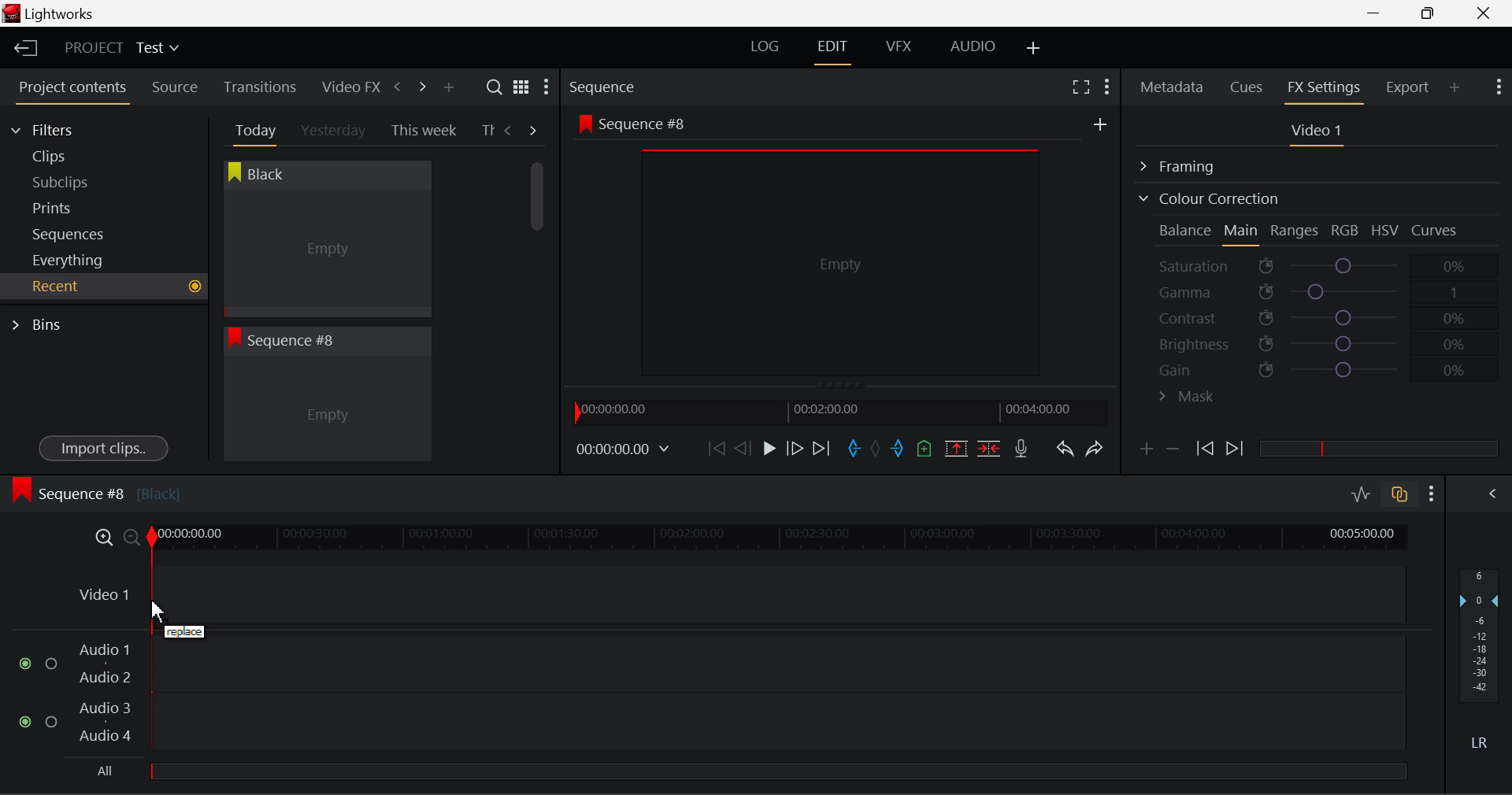 Image resolution: width=1512 pixels, height=795 pixels. I want to click on Gain, so click(1332, 367).